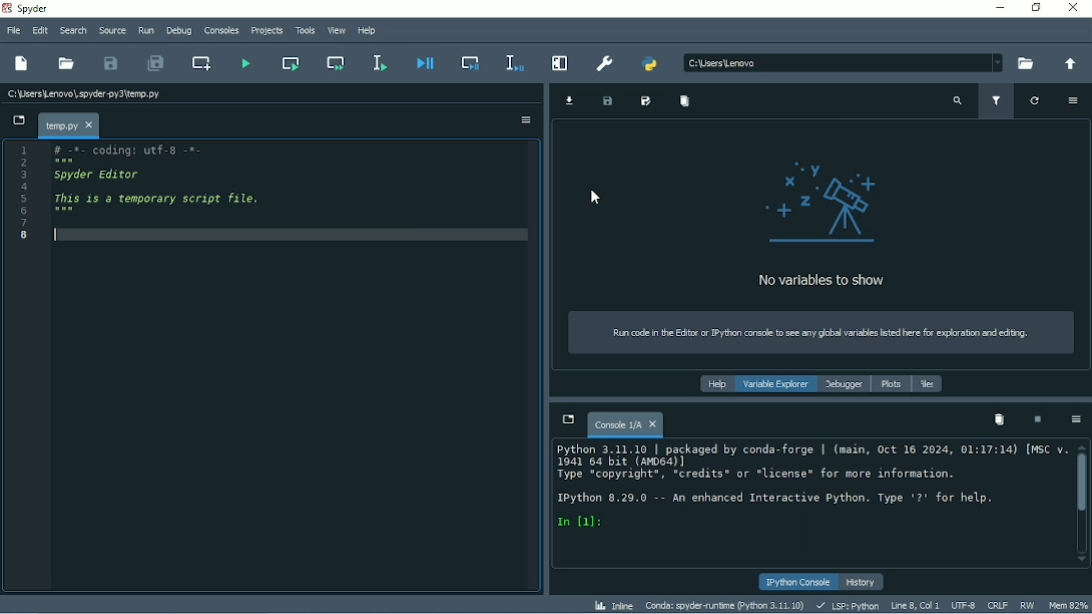  Describe the element at coordinates (12, 31) in the screenshot. I see `File` at that location.